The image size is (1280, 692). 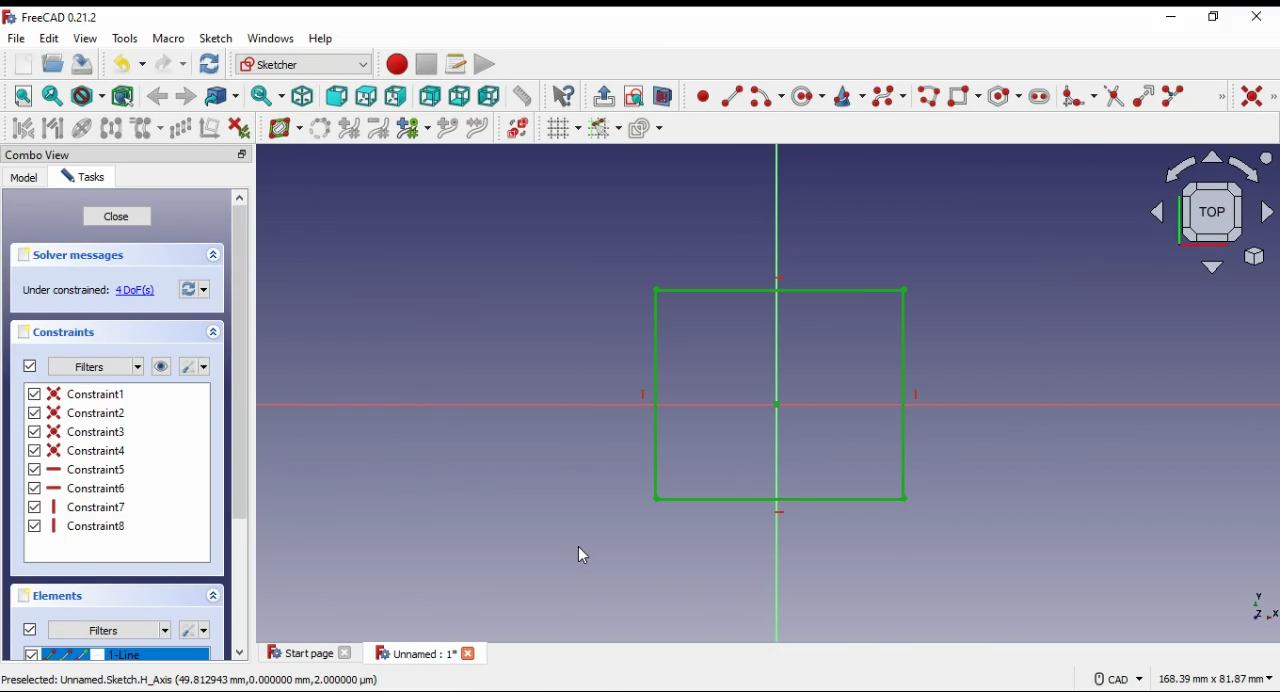 I want to click on workbench selection, so click(x=304, y=64).